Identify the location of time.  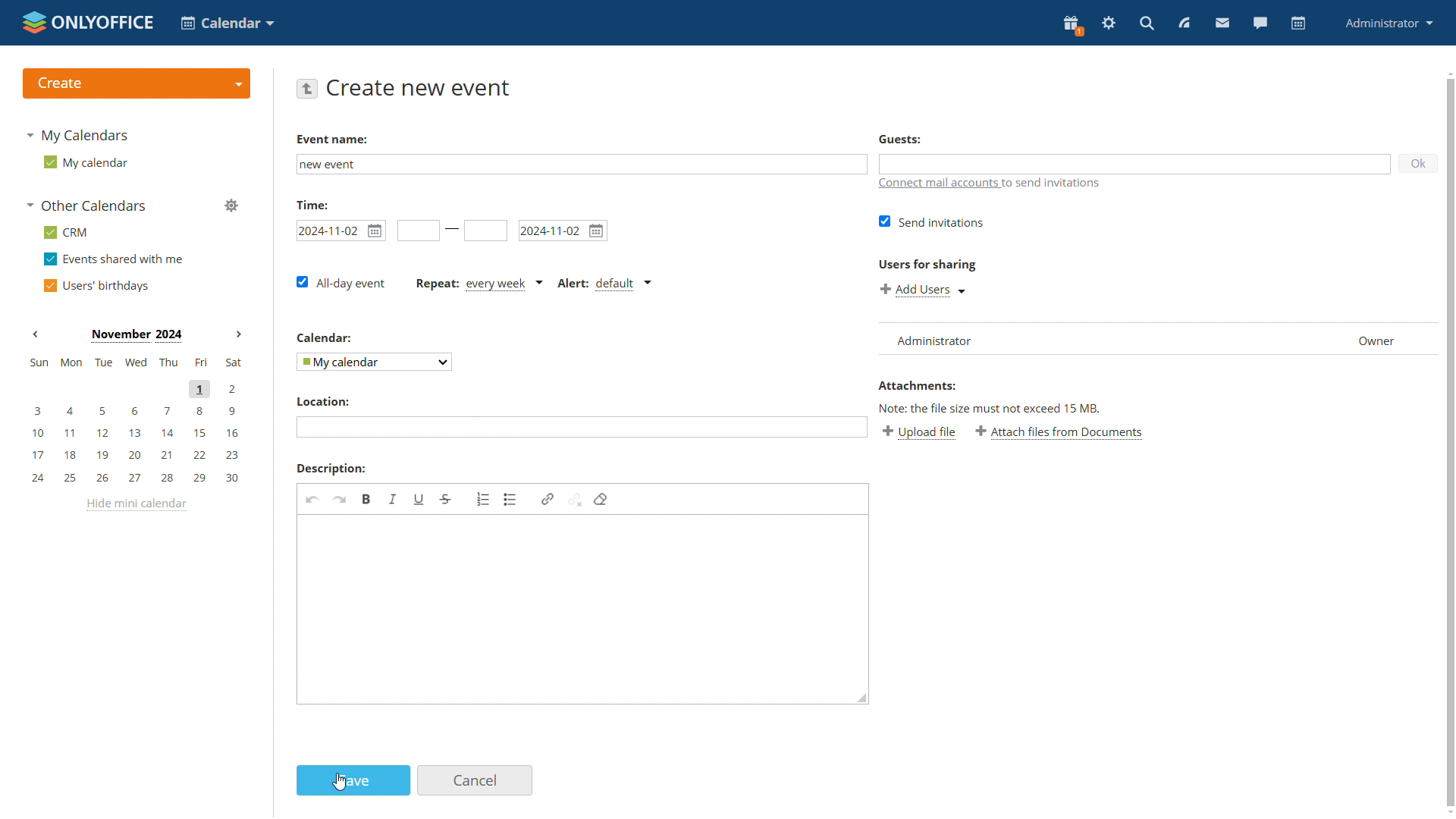
(312, 203).